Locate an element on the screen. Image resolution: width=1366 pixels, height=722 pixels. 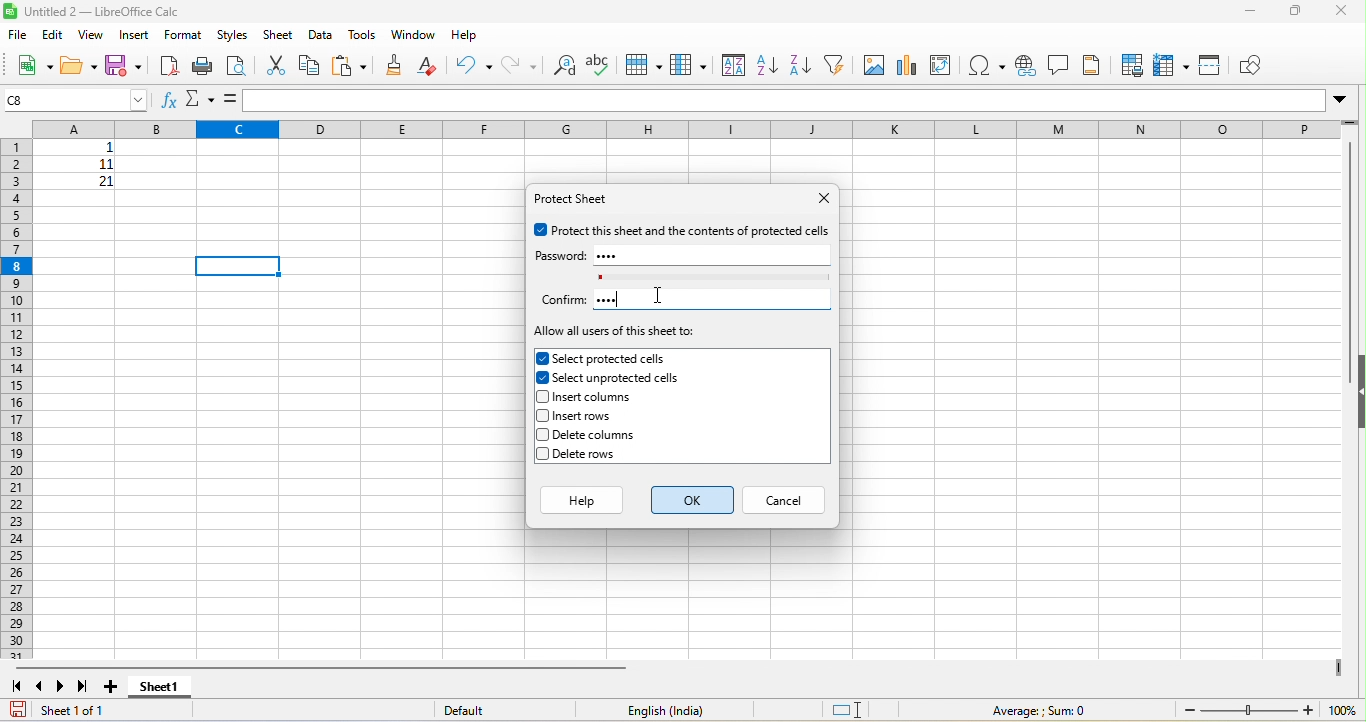
next is located at coordinates (62, 686).